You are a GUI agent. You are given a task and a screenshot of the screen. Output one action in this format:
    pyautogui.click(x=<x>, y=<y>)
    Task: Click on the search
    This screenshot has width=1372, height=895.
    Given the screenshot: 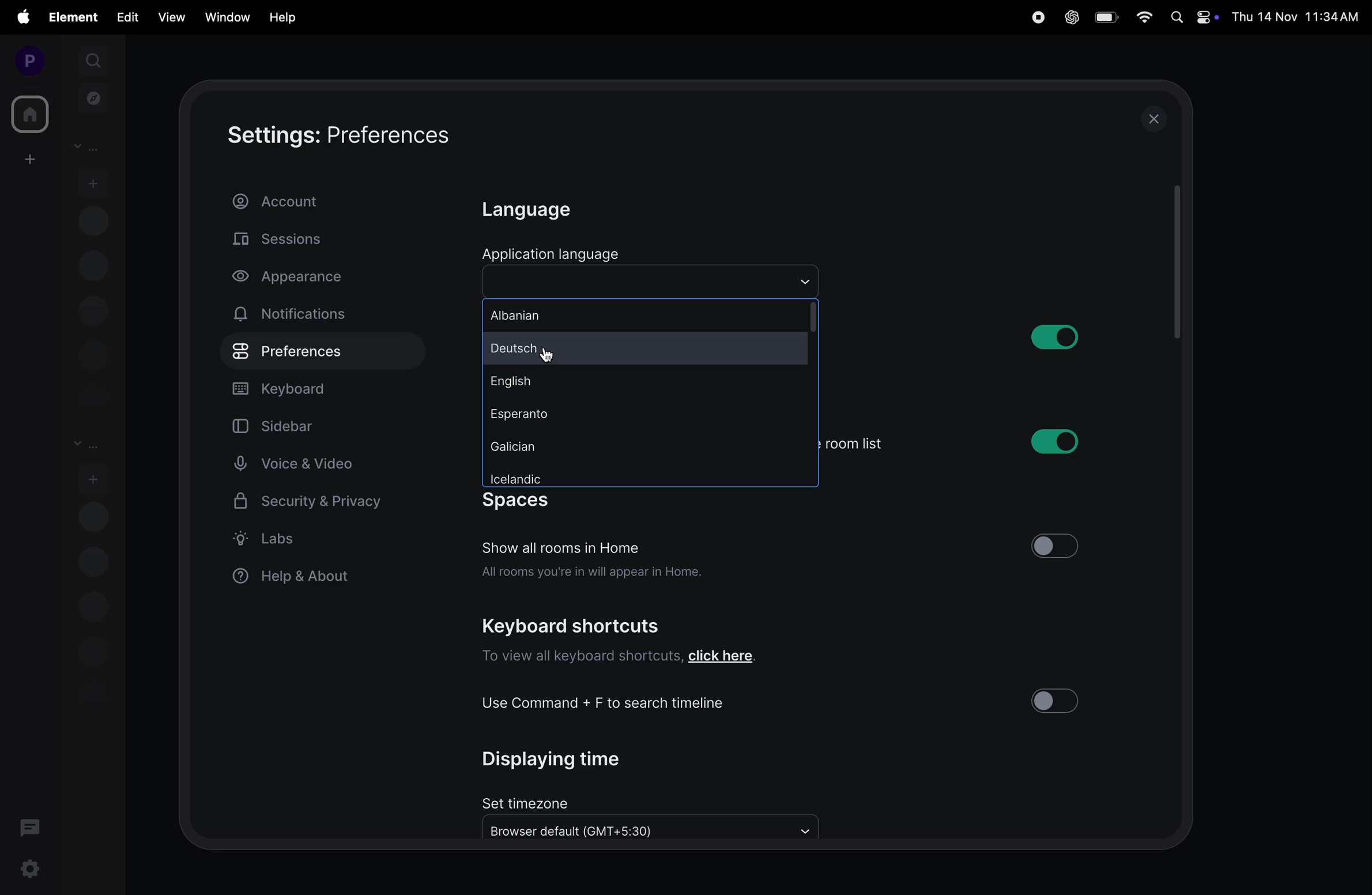 What is the action you would take?
    pyautogui.click(x=93, y=59)
    